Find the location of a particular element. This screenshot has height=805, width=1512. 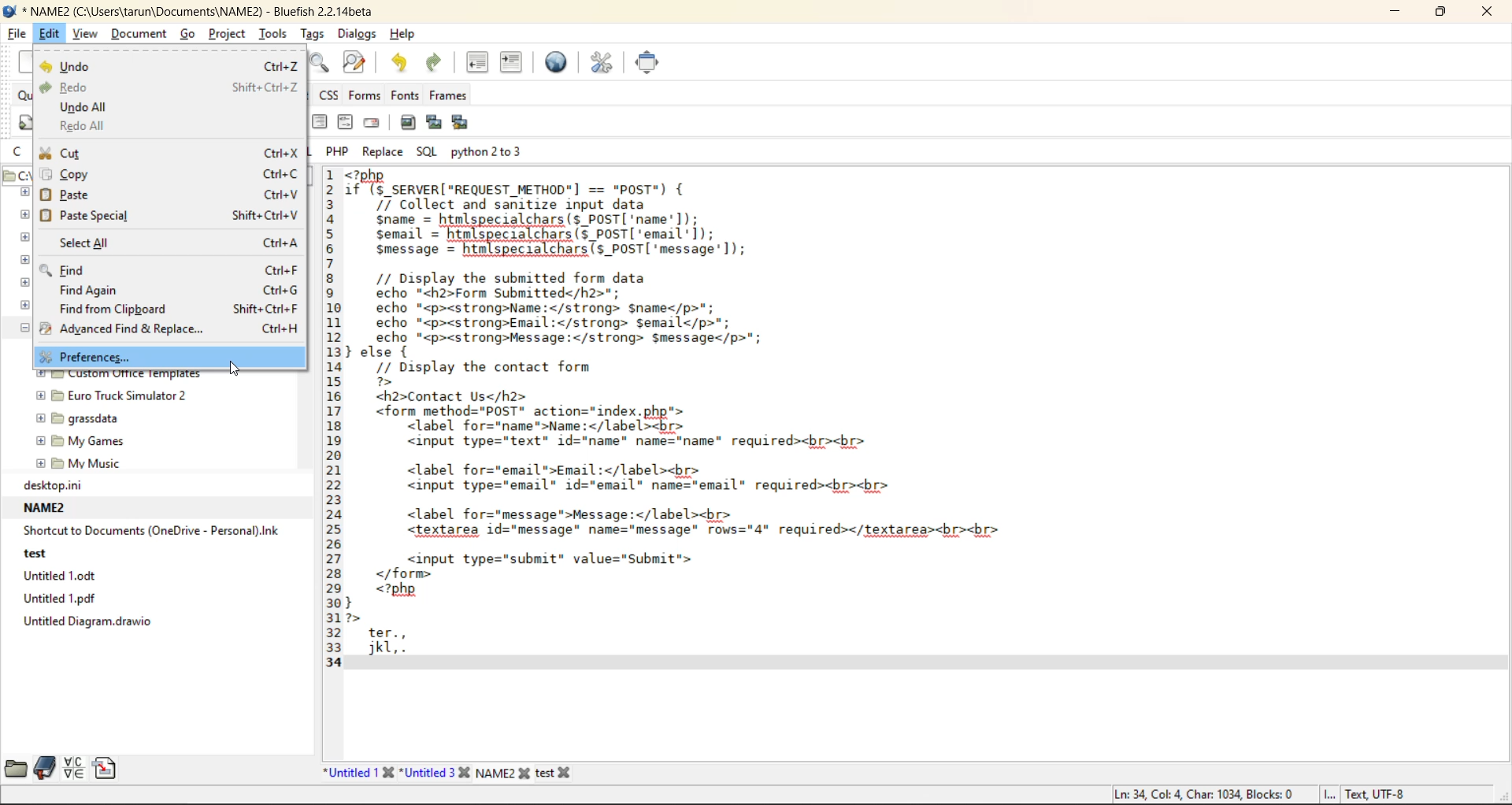

Untitled Diagram. drawio is located at coordinates (82, 621).